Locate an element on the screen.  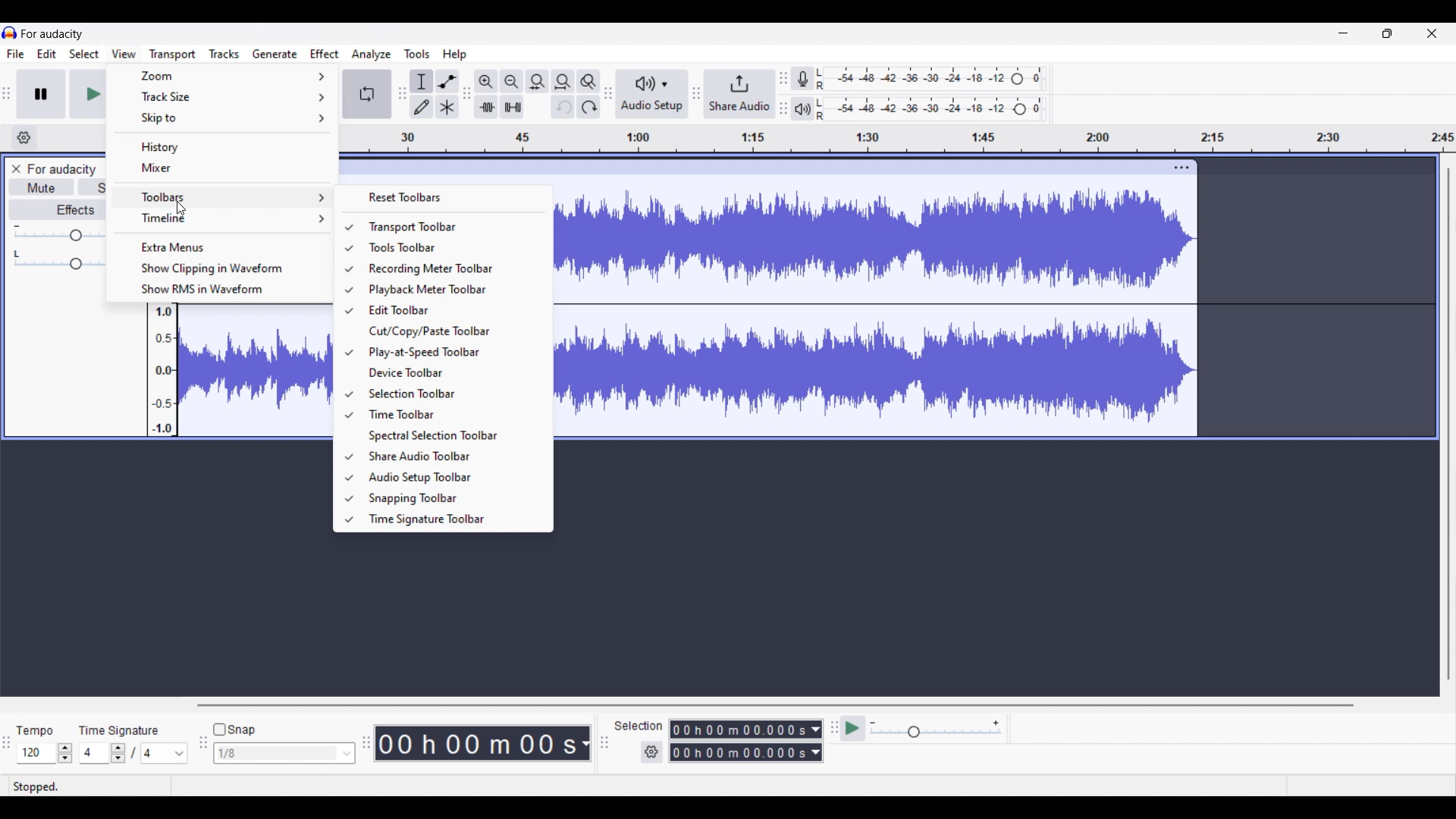
tempo is located at coordinates (35, 731).